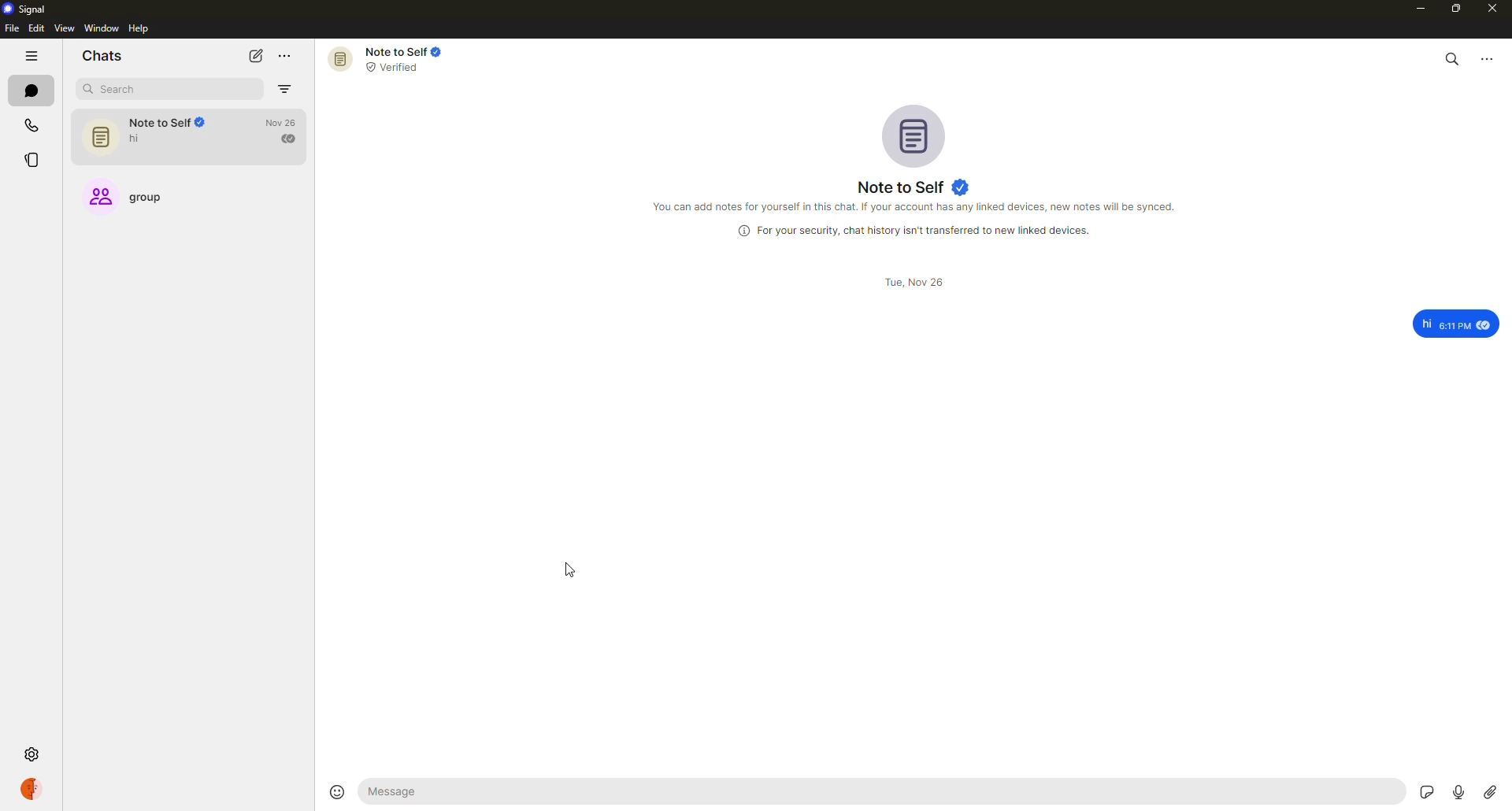 This screenshot has height=811, width=1512. I want to click on chats, so click(29, 91).